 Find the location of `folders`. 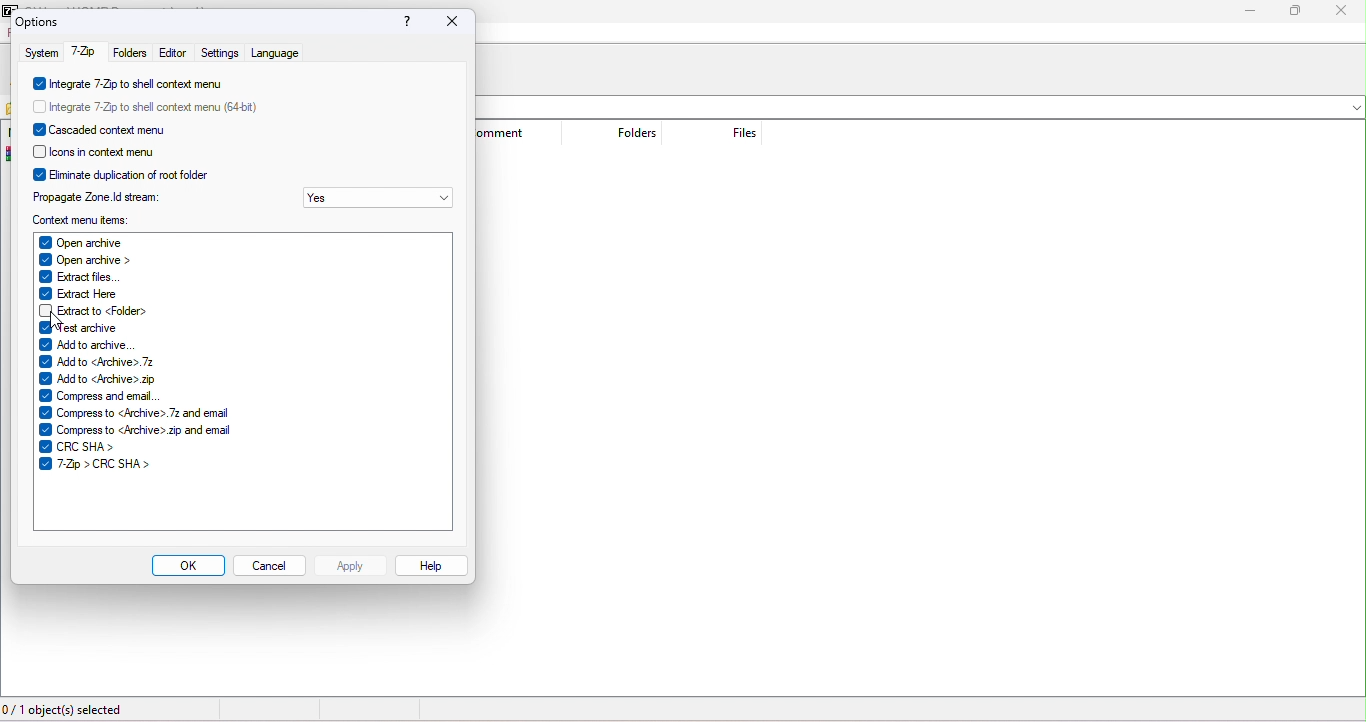

folders is located at coordinates (624, 133).